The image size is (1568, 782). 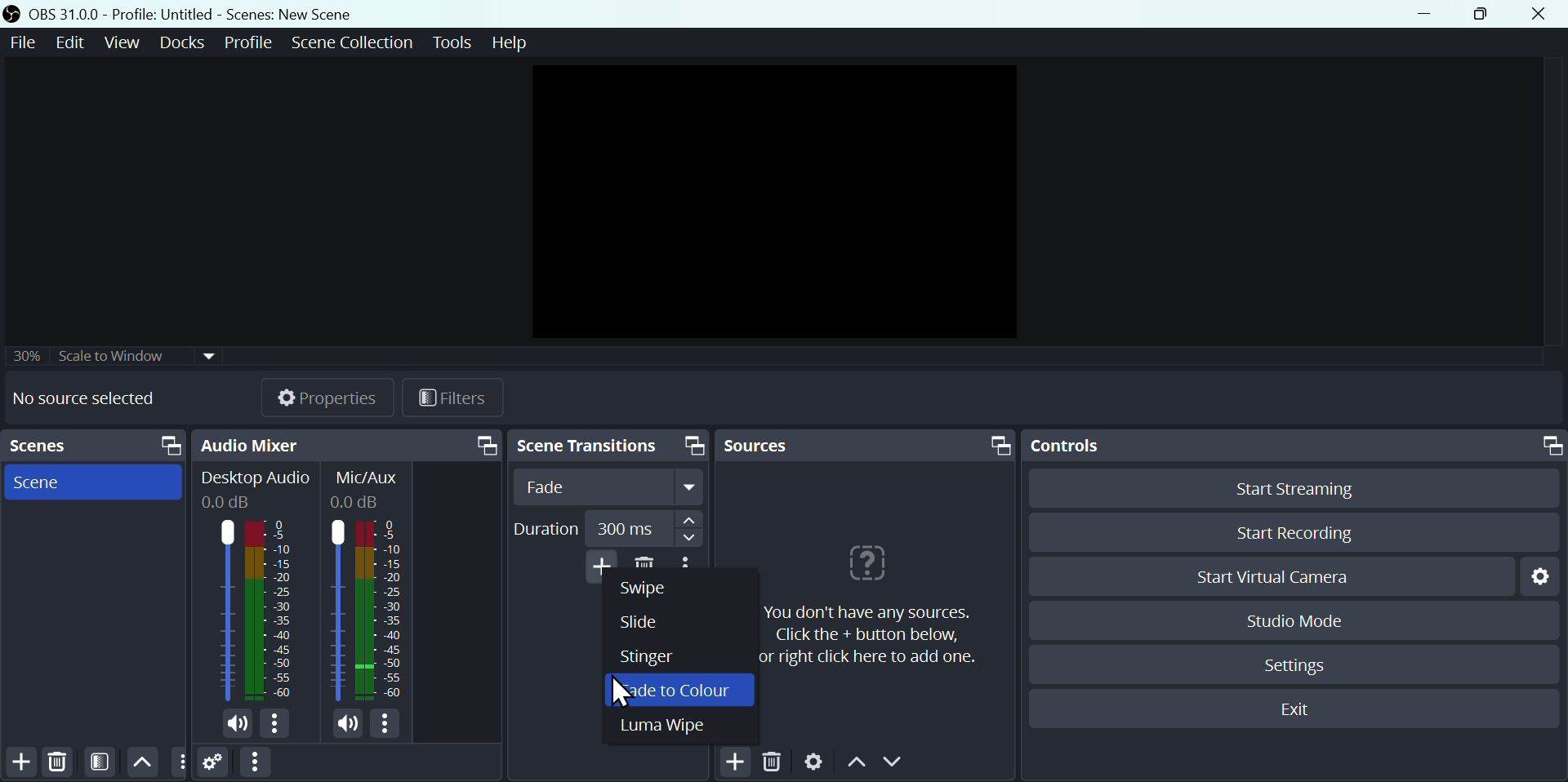 What do you see at coordinates (866, 444) in the screenshot?
I see `Sources` at bounding box center [866, 444].